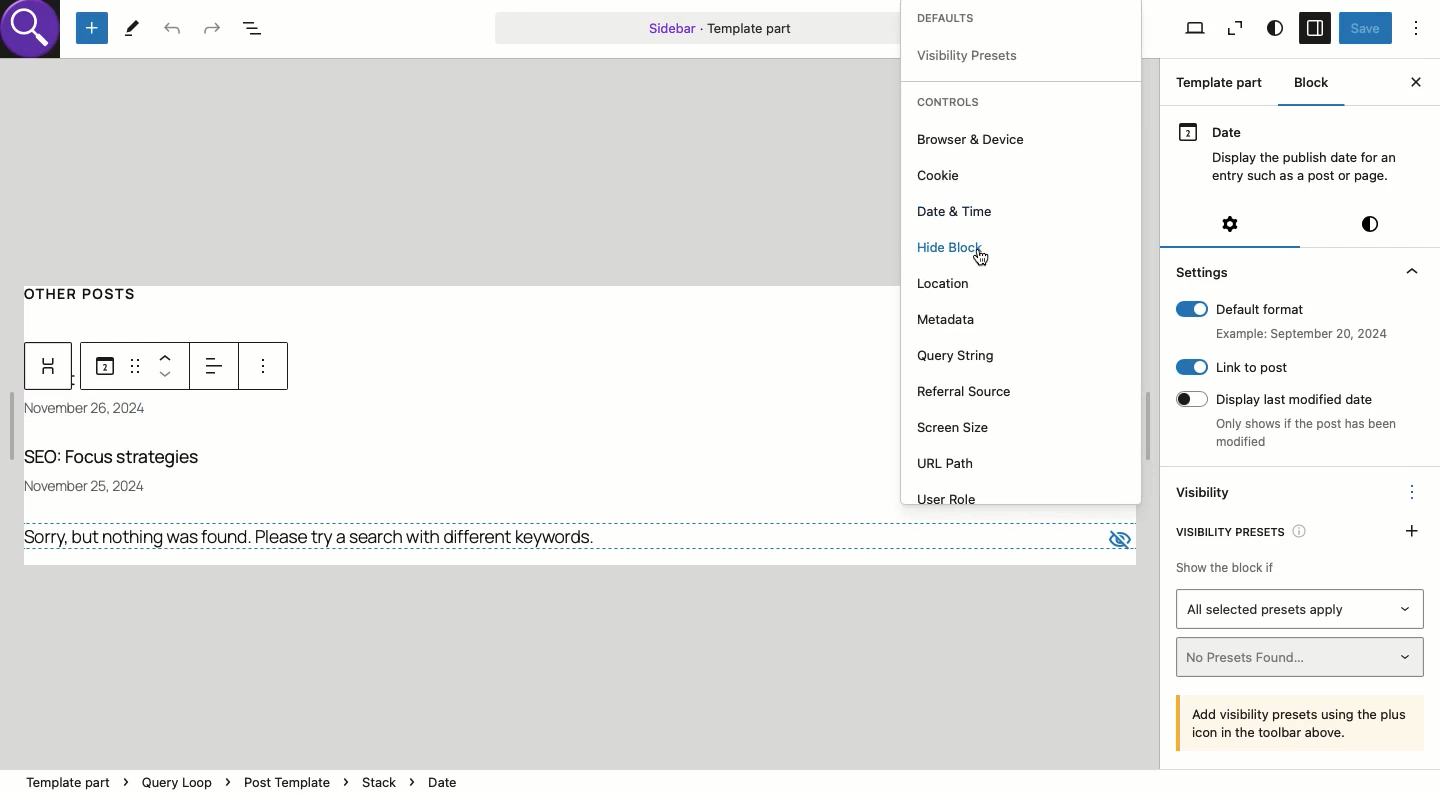 Image resolution: width=1440 pixels, height=794 pixels. What do you see at coordinates (1307, 435) in the screenshot?
I see `only shows` at bounding box center [1307, 435].